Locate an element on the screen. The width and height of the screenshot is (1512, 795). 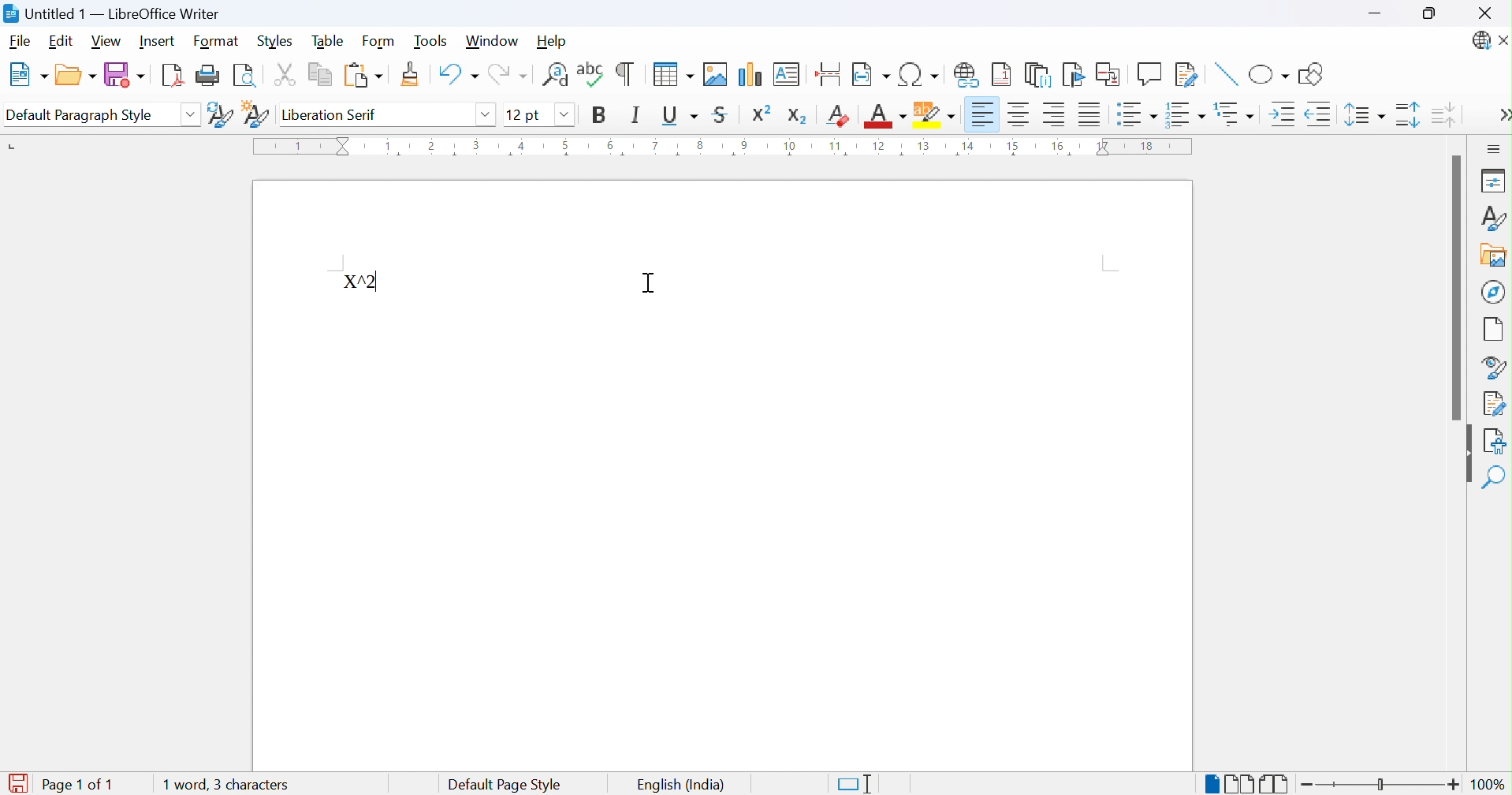
Toggle formatting marks is located at coordinates (627, 72).